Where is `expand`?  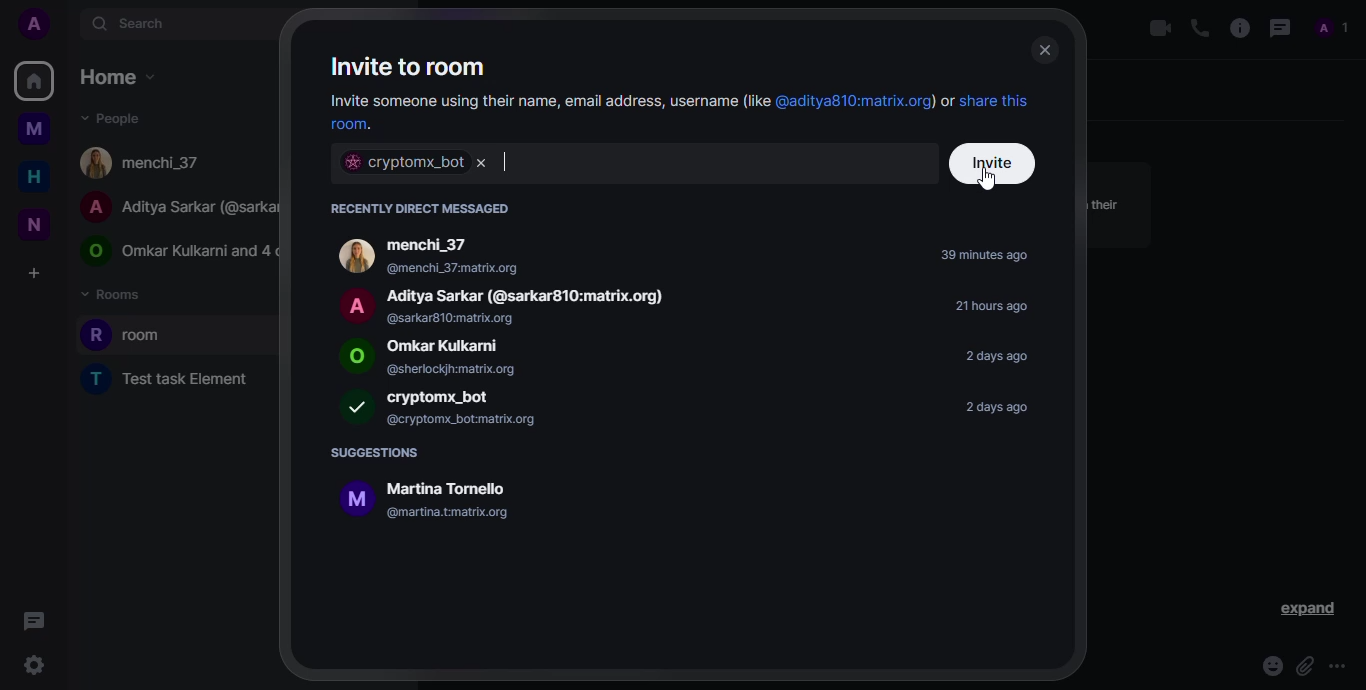
expand is located at coordinates (1312, 614).